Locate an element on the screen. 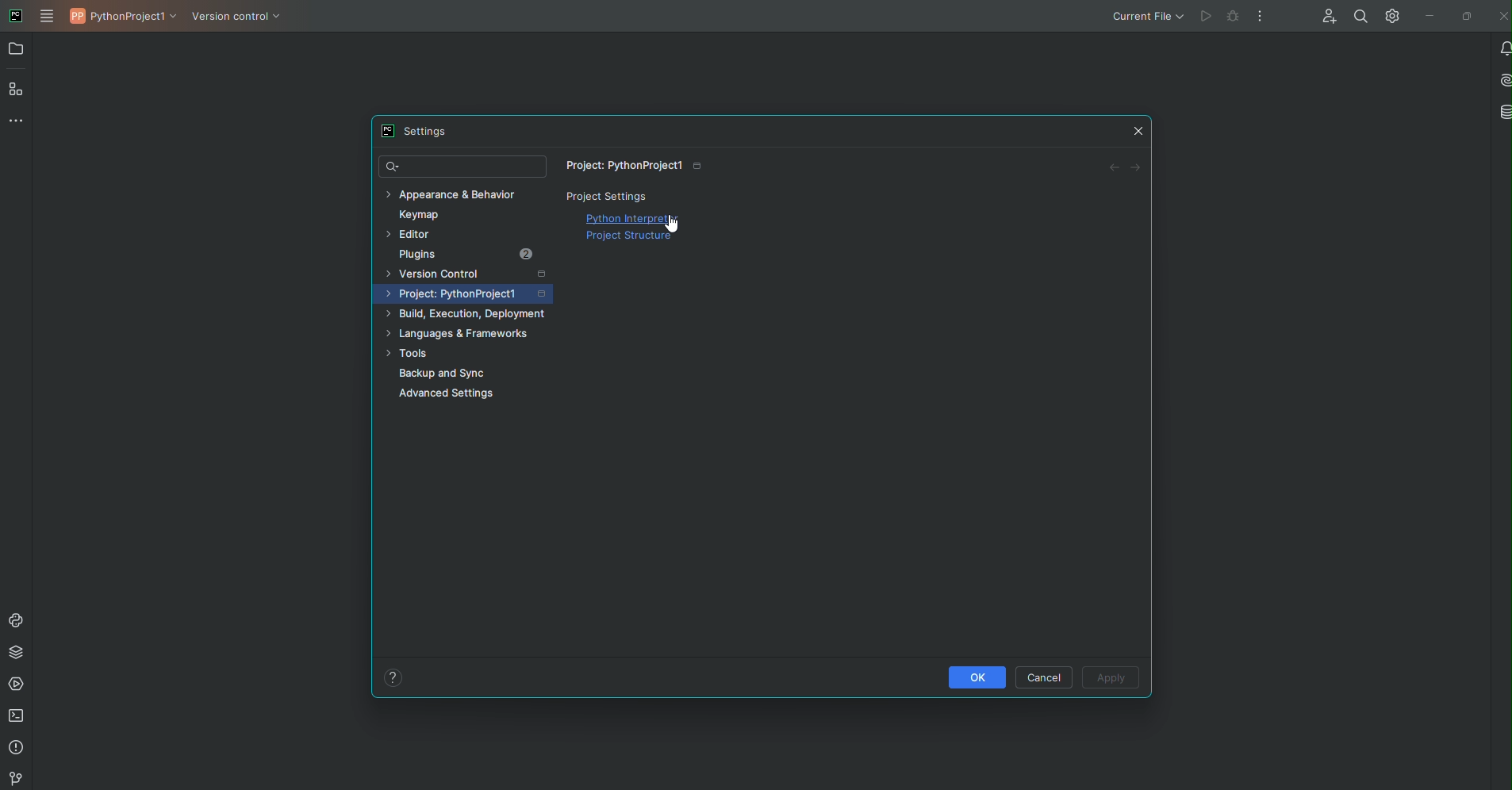 The width and height of the screenshot is (1512, 790). Console is located at coordinates (15, 618).